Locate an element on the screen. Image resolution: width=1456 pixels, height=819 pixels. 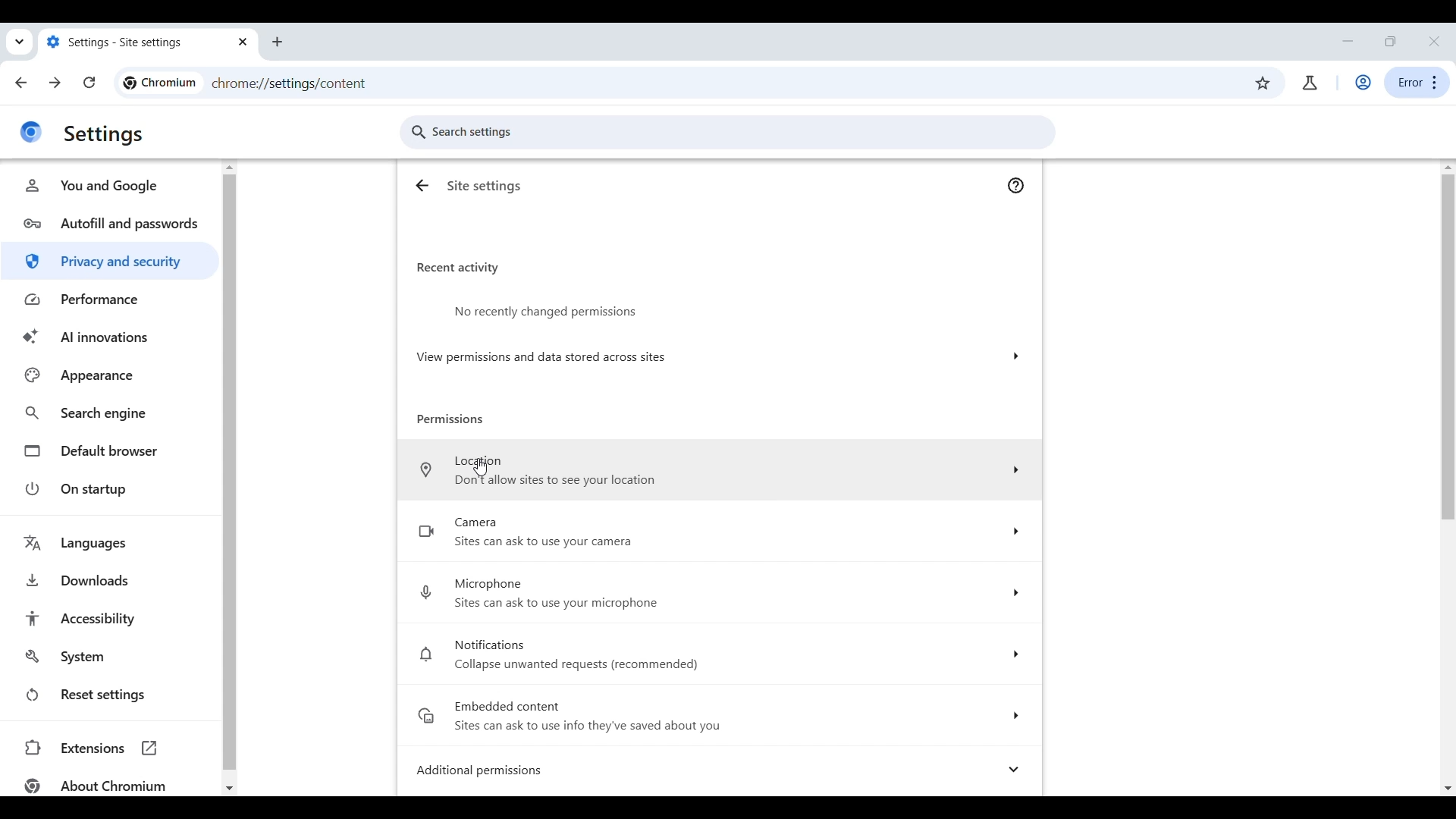
Chrome Logo  is located at coordinates (30, 132).